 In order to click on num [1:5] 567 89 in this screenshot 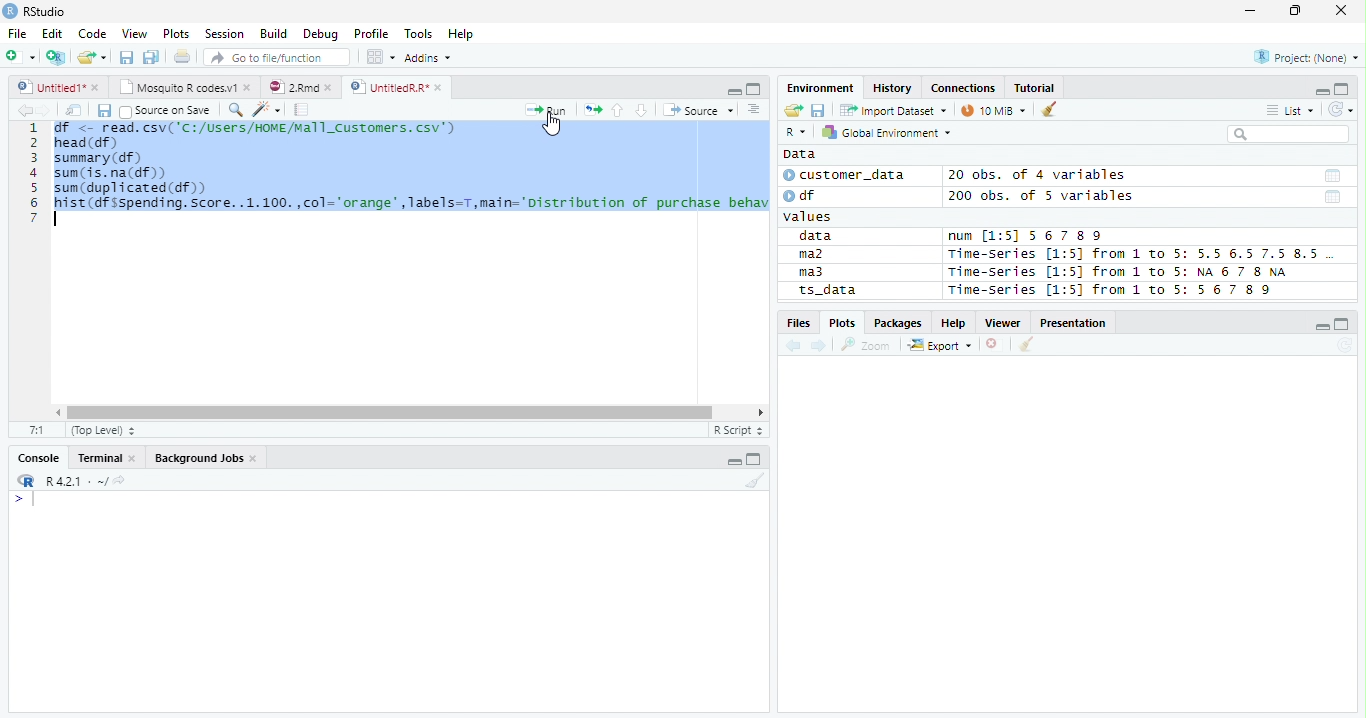, I will do `click(1026, 236)`.